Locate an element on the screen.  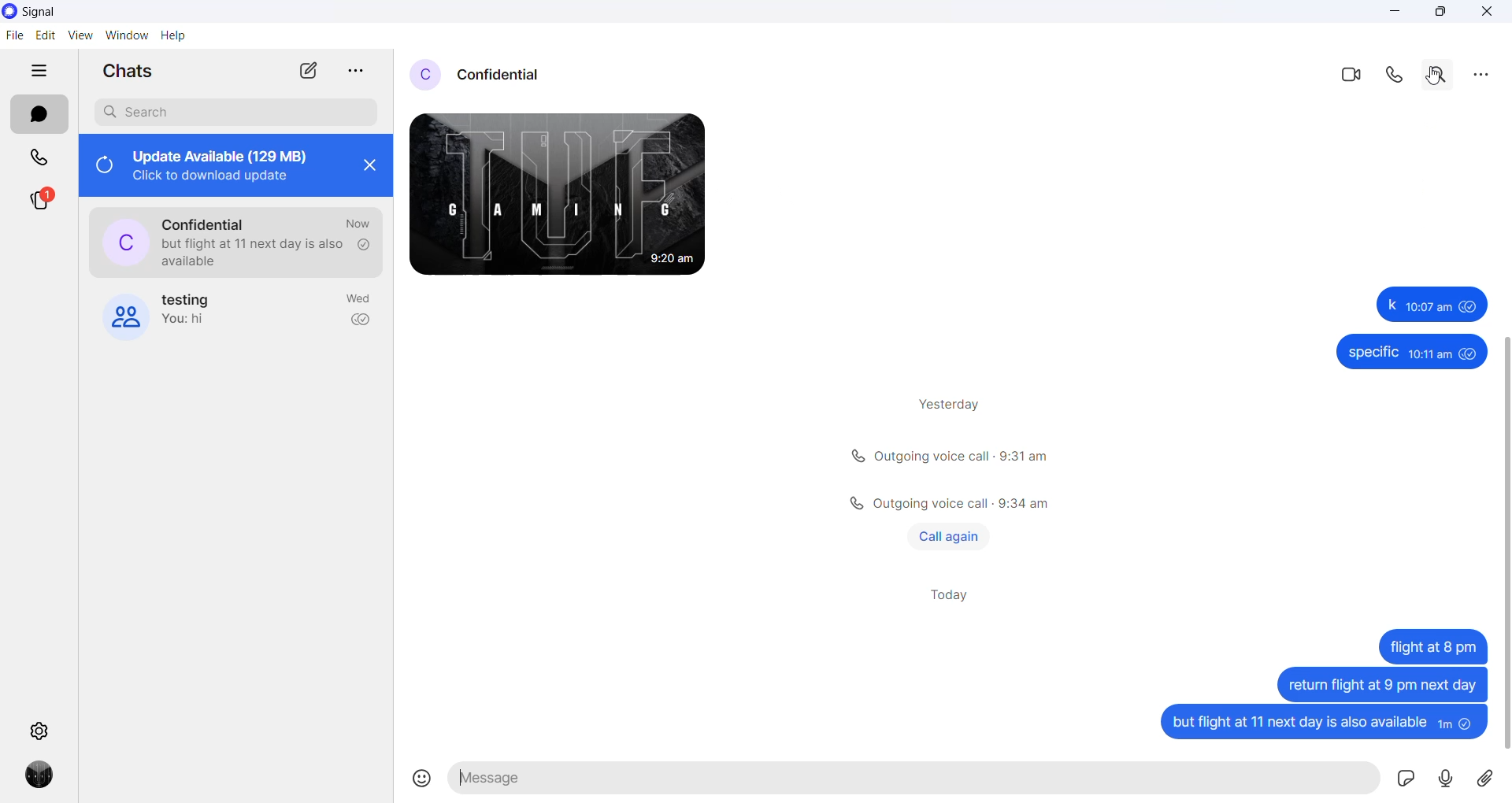
new chat is located at coordinates (306, 69).